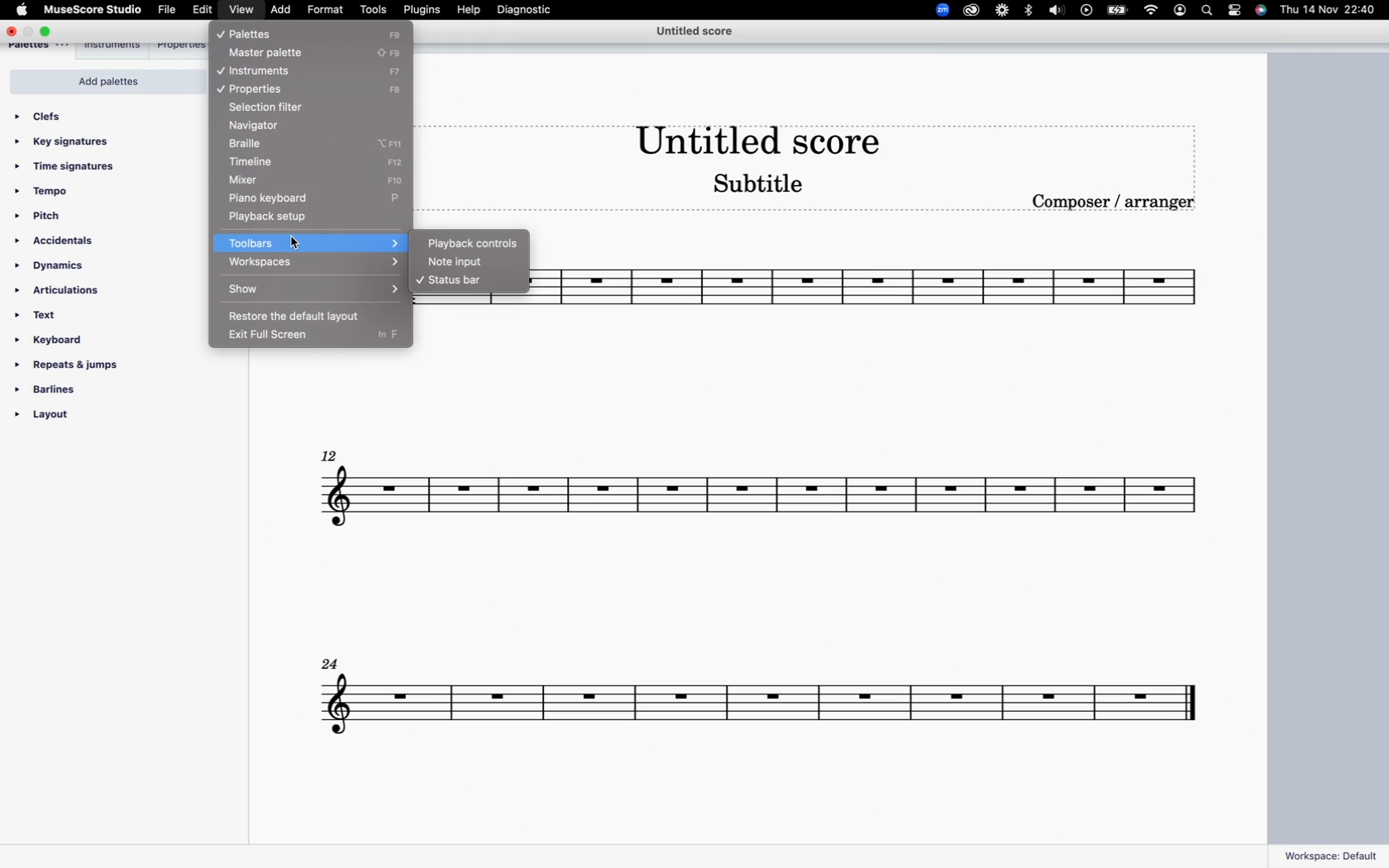  What do you see at coordinates (937, 10) in the screenshot?
I see `zoom` at bounding box center [937, 10].